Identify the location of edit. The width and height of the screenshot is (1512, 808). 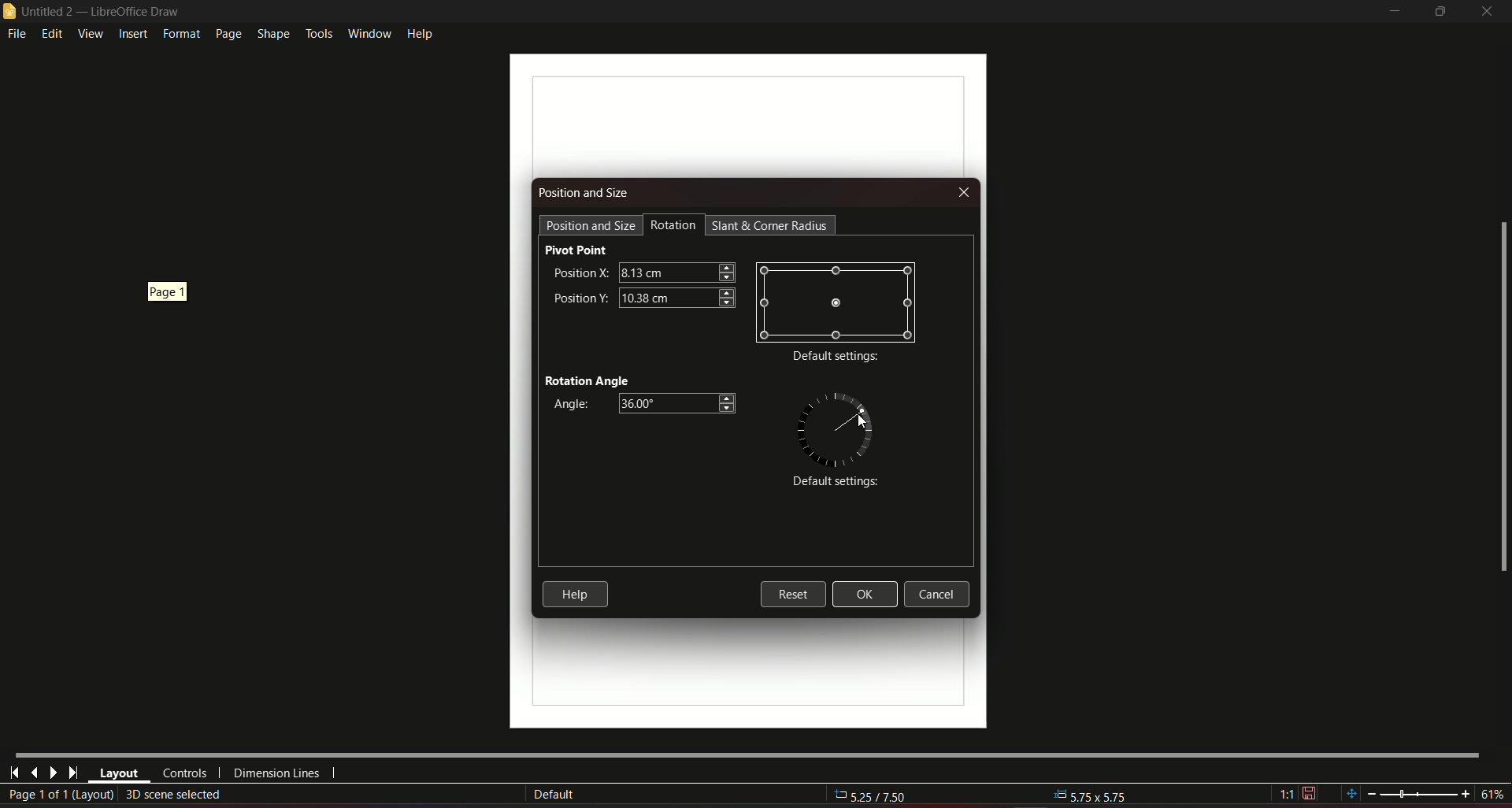
(53, 33).